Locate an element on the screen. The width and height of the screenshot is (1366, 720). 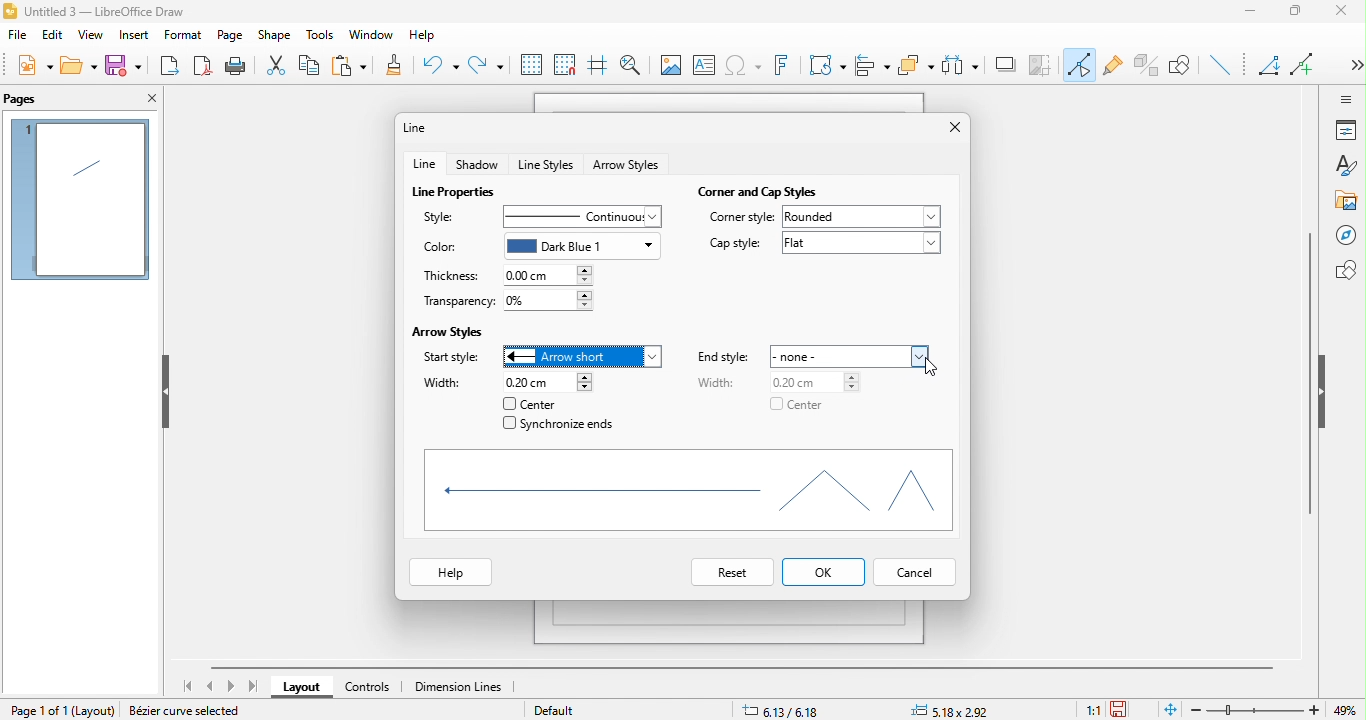
open is located at coordinates (80, 65).